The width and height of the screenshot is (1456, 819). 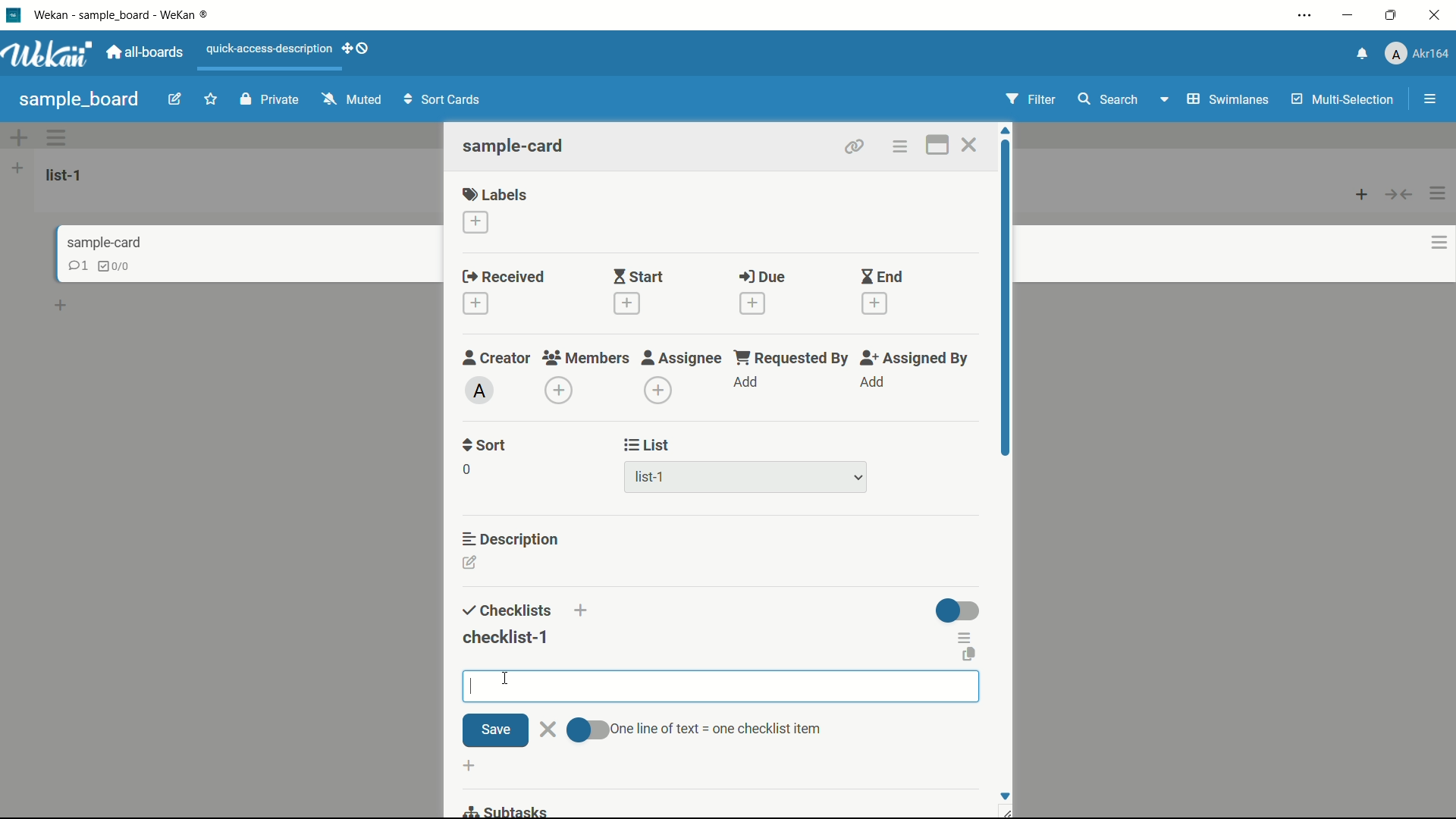 What do you see at coordinates (497, 731) in the screenshot?
I see `save` at bounding box center [497, 731].